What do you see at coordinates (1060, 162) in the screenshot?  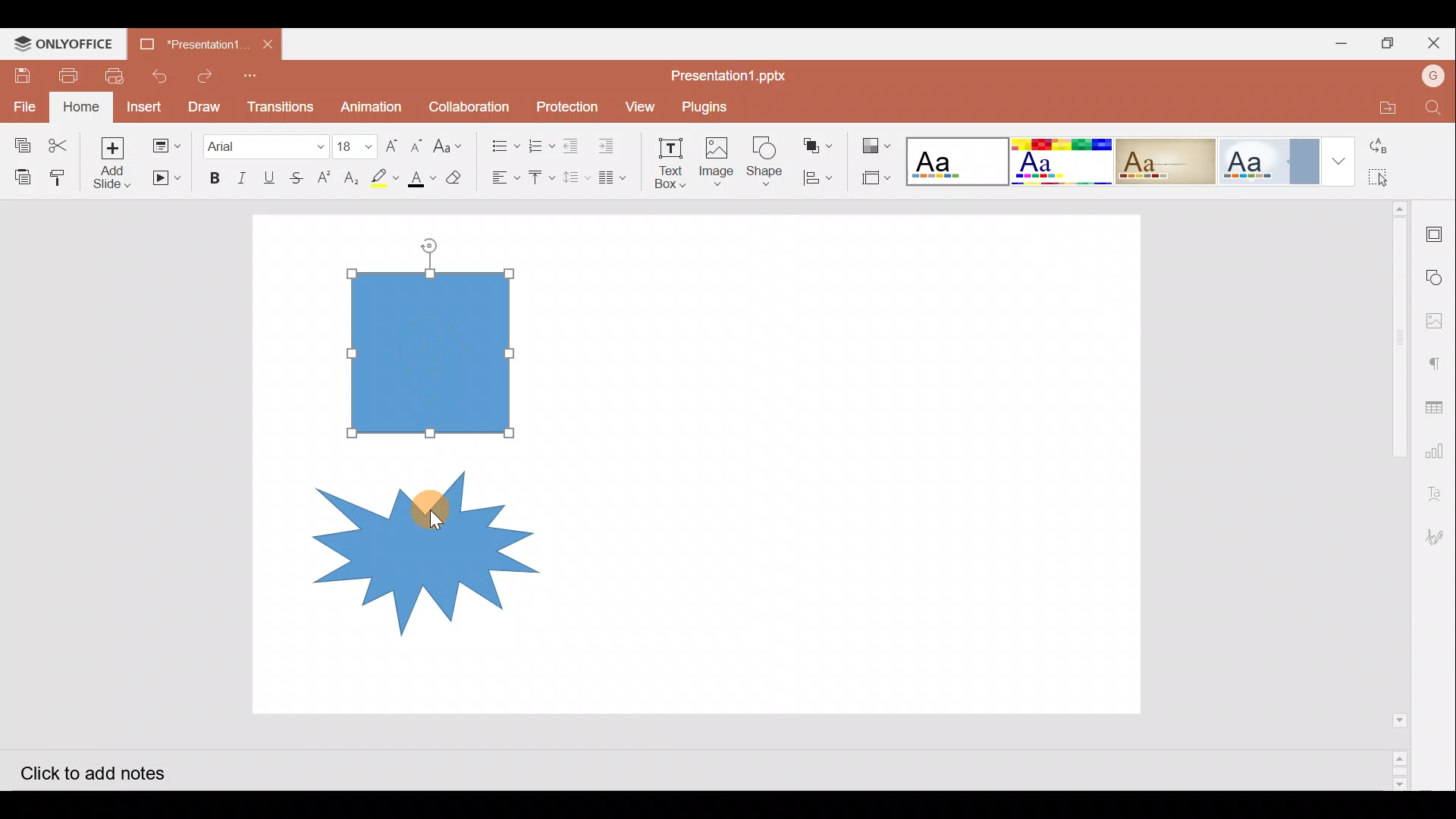 I see `Basic` at bounding box center [1060, 162].